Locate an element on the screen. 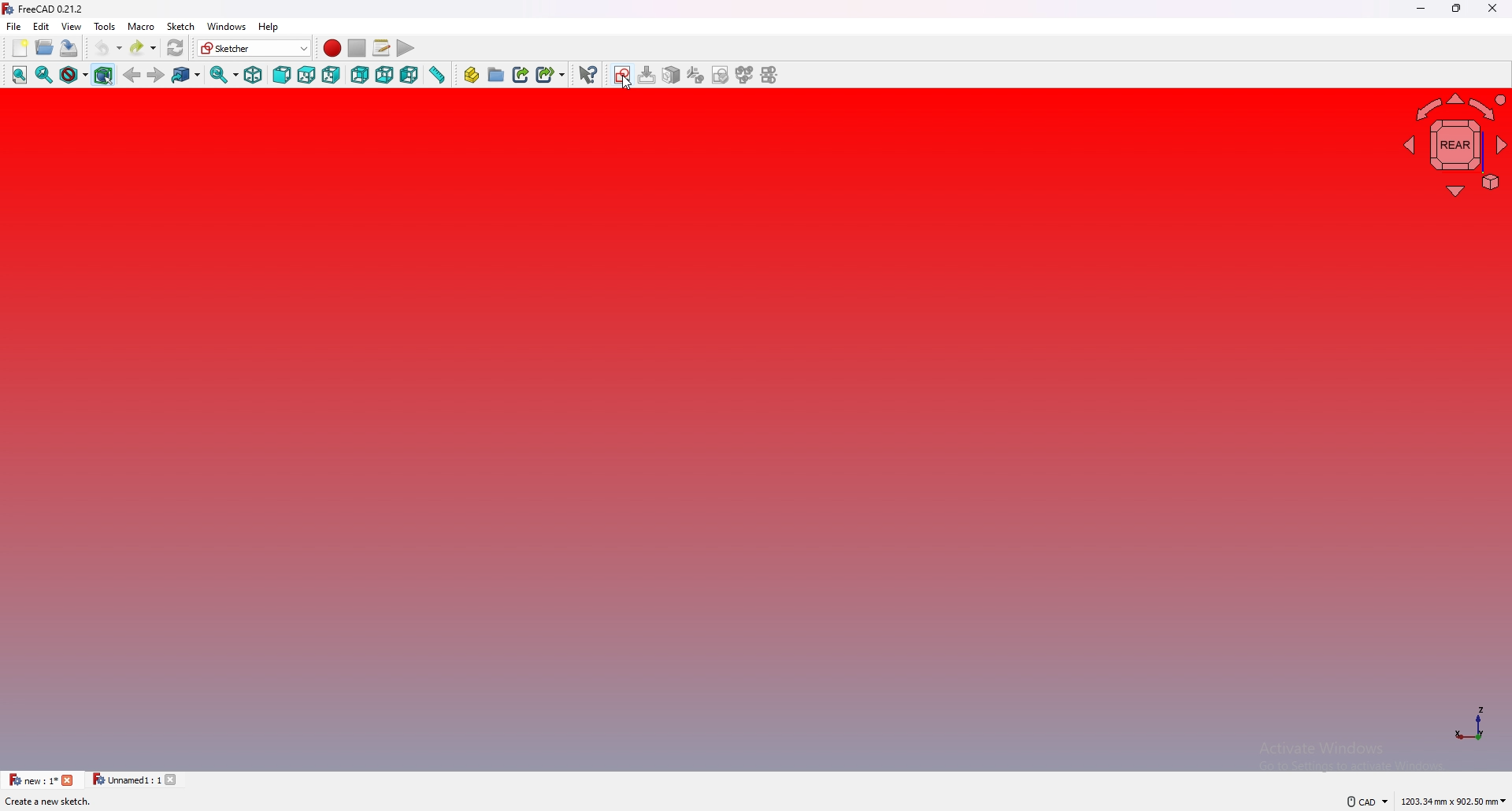 This screenshot has height=811, width=1512. Sketch is located at coordinates (180, 26).